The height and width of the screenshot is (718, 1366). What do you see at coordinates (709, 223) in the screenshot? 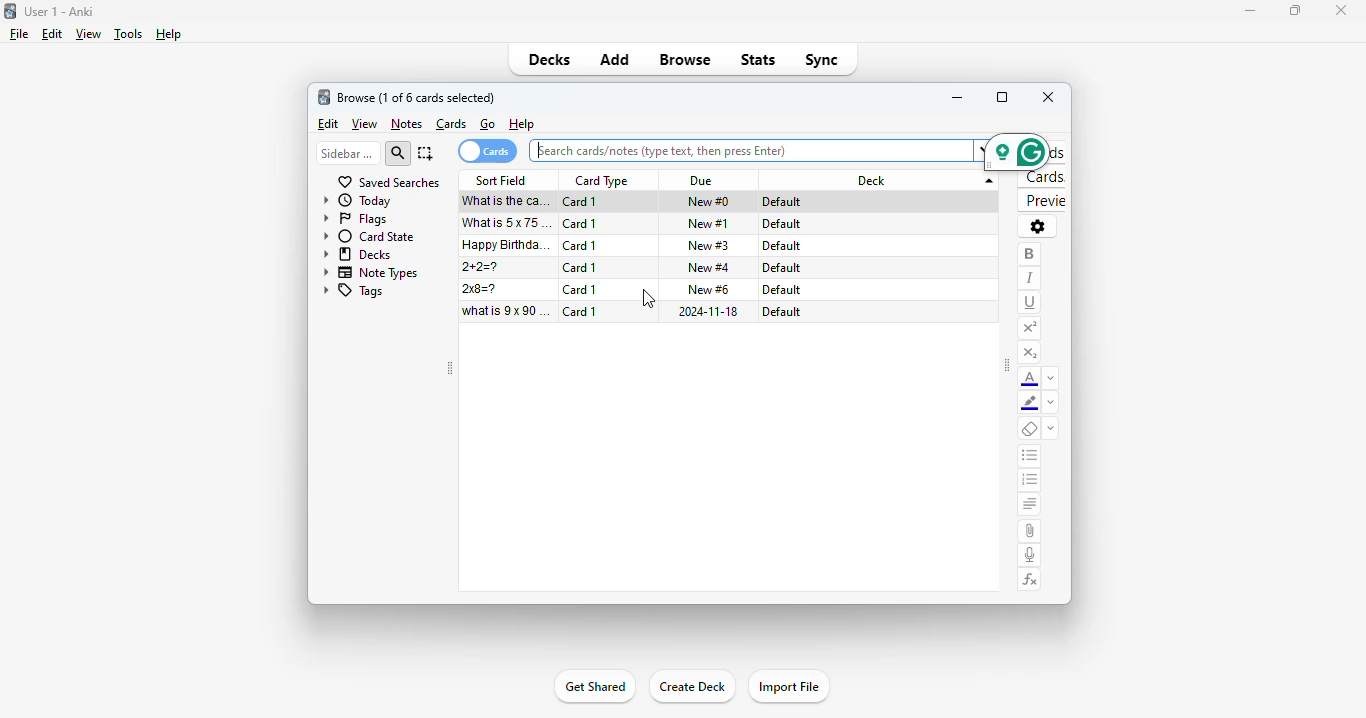
I see `new #1` at bounding box center [709, 223].